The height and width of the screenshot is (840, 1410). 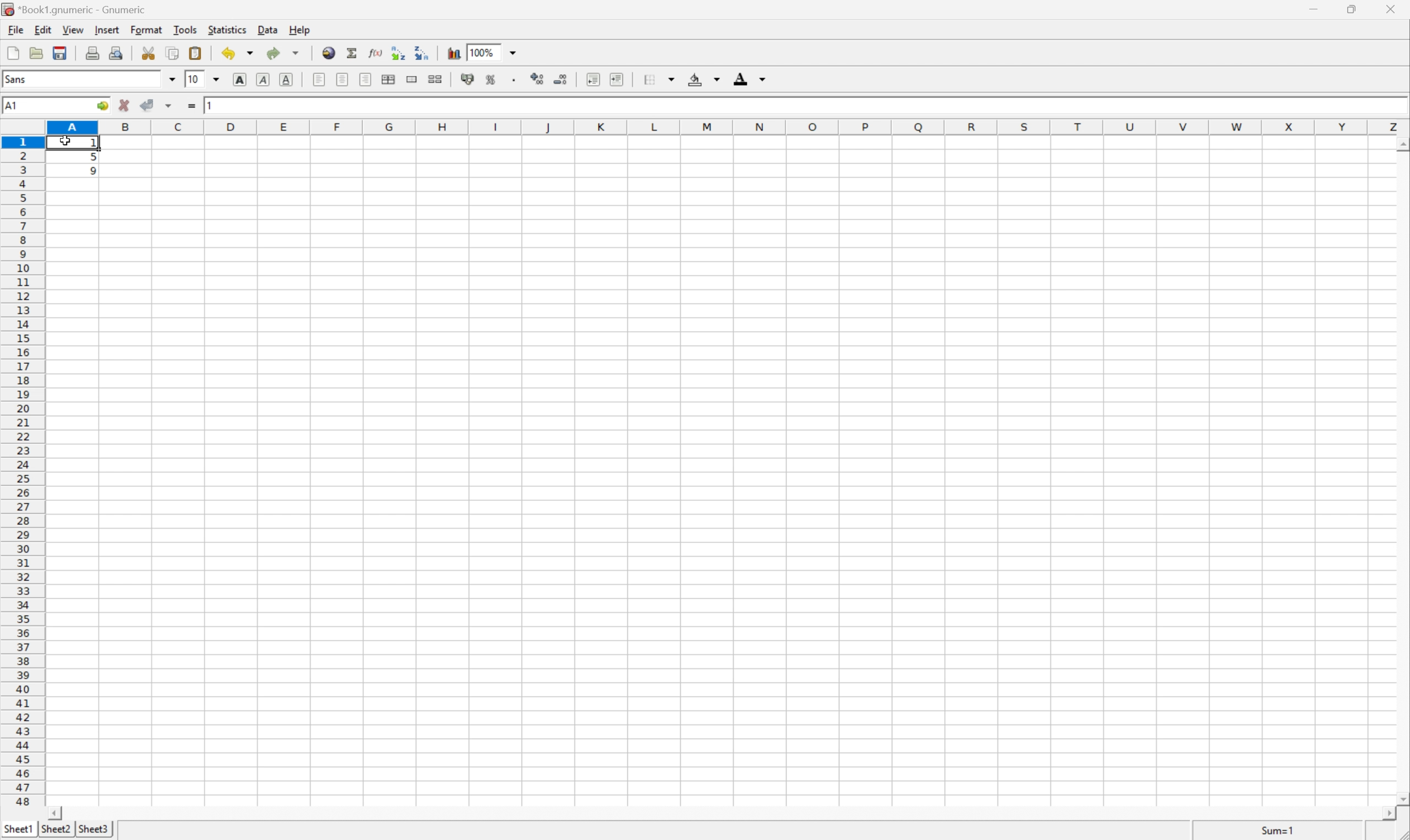 I want to click on A1, so click(x=11, y=106).